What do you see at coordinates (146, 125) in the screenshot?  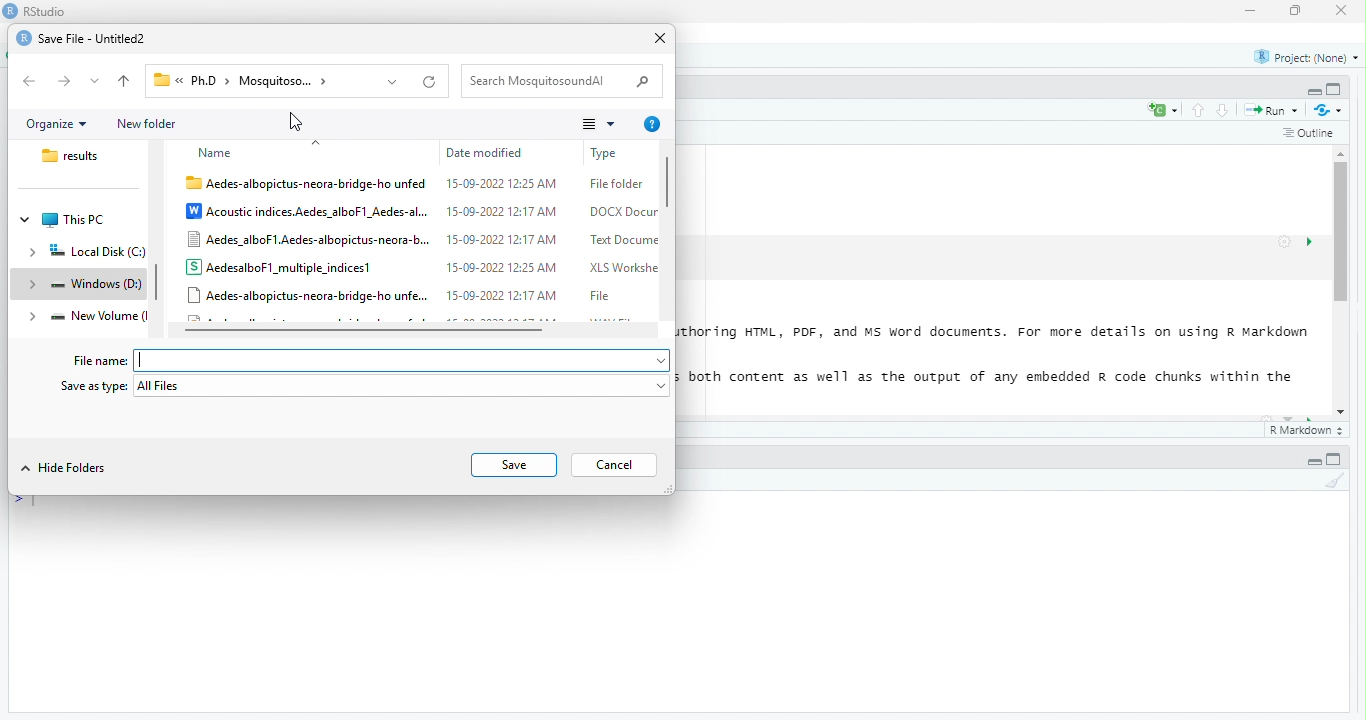 I see `New folder` at bounding box center [146, 125].